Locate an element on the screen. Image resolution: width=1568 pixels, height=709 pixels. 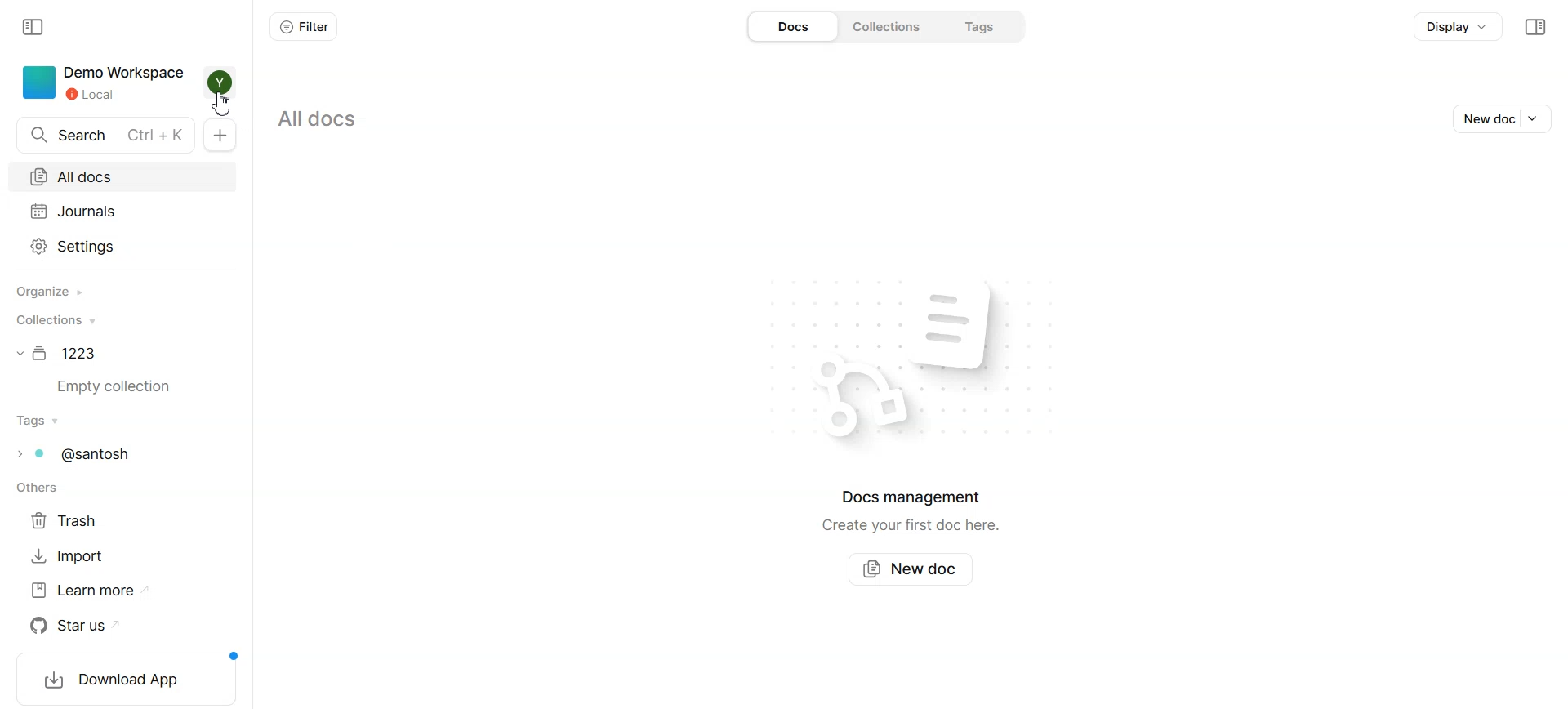
Filter is located at coordinates (304, 27).